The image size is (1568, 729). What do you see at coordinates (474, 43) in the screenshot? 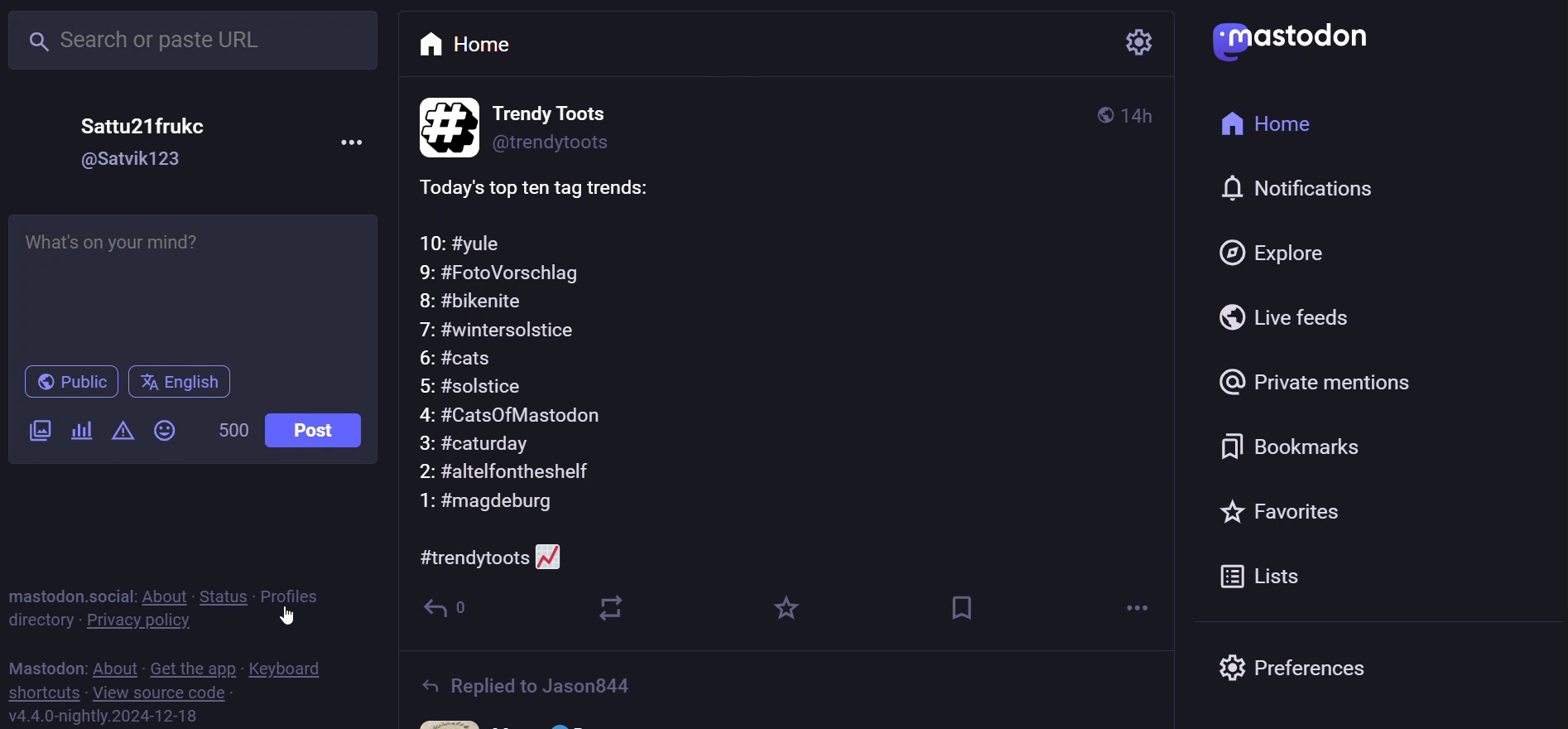
I see `home` at bounding box center [474, 43].